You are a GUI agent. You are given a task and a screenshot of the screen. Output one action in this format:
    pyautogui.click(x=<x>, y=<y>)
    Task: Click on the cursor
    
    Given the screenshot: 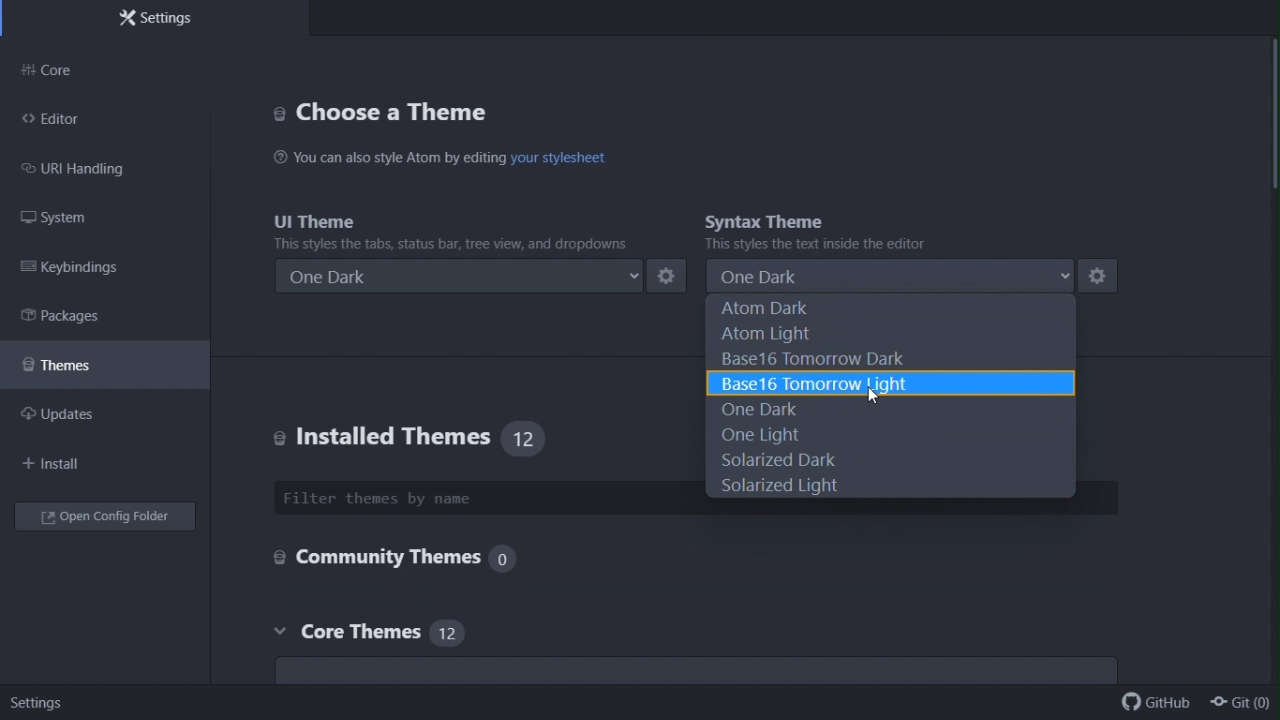 What is the action you would take?
    pyautogui.click(x=875, y=393)
    